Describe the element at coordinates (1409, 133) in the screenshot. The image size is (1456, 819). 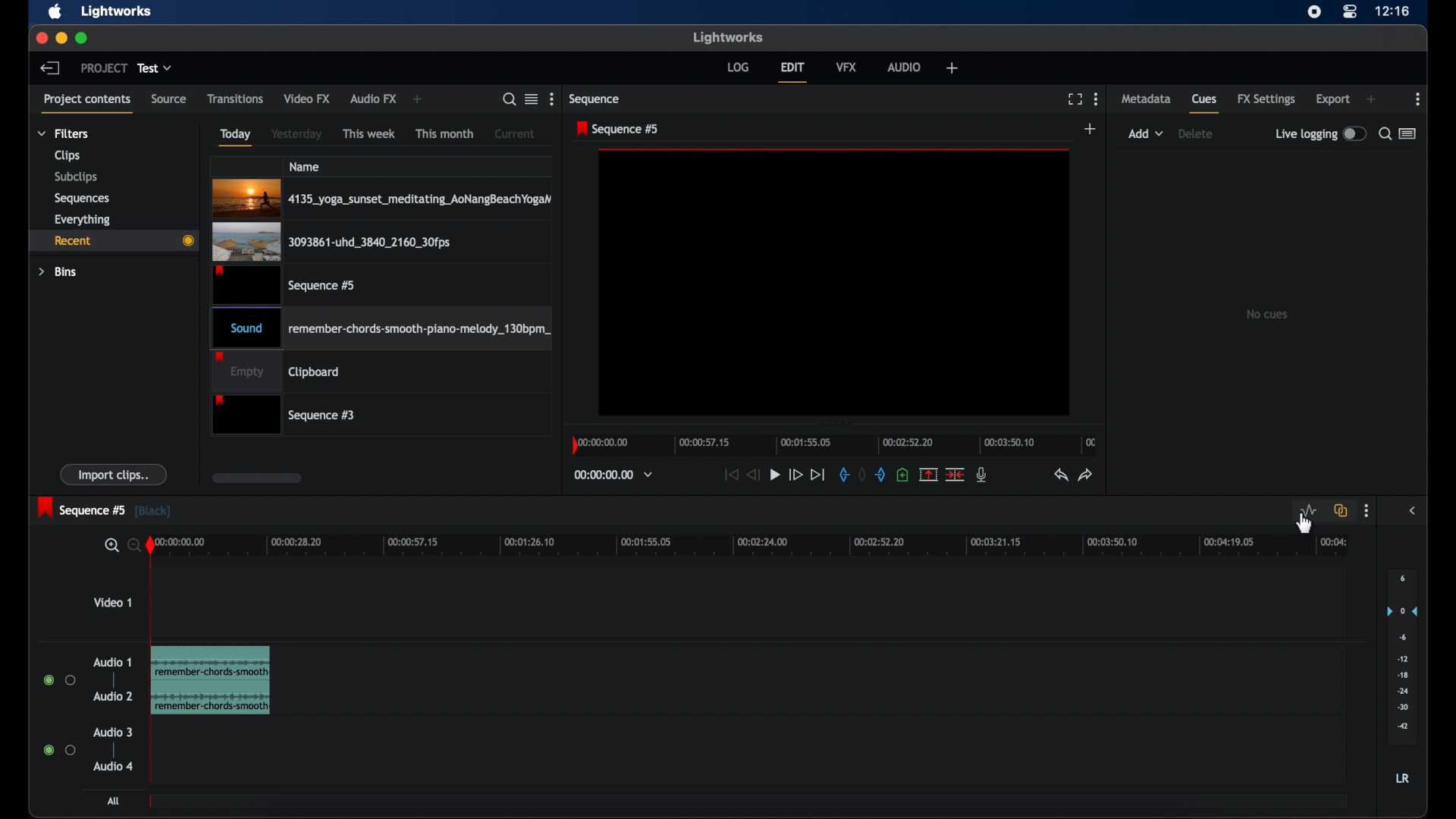
I see `toggle list or logger view` at that location.